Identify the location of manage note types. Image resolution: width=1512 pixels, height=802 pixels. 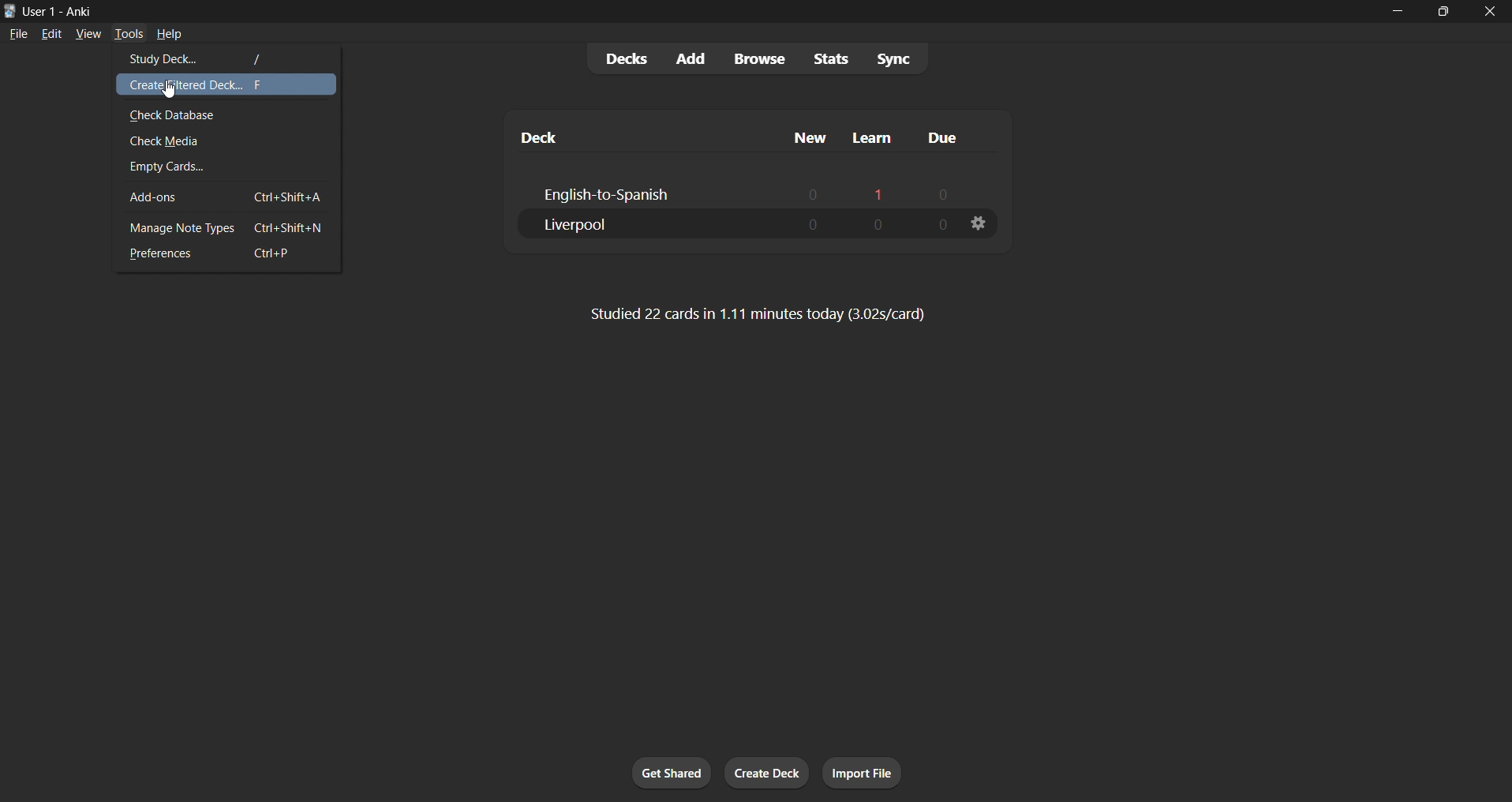
(226, 223).